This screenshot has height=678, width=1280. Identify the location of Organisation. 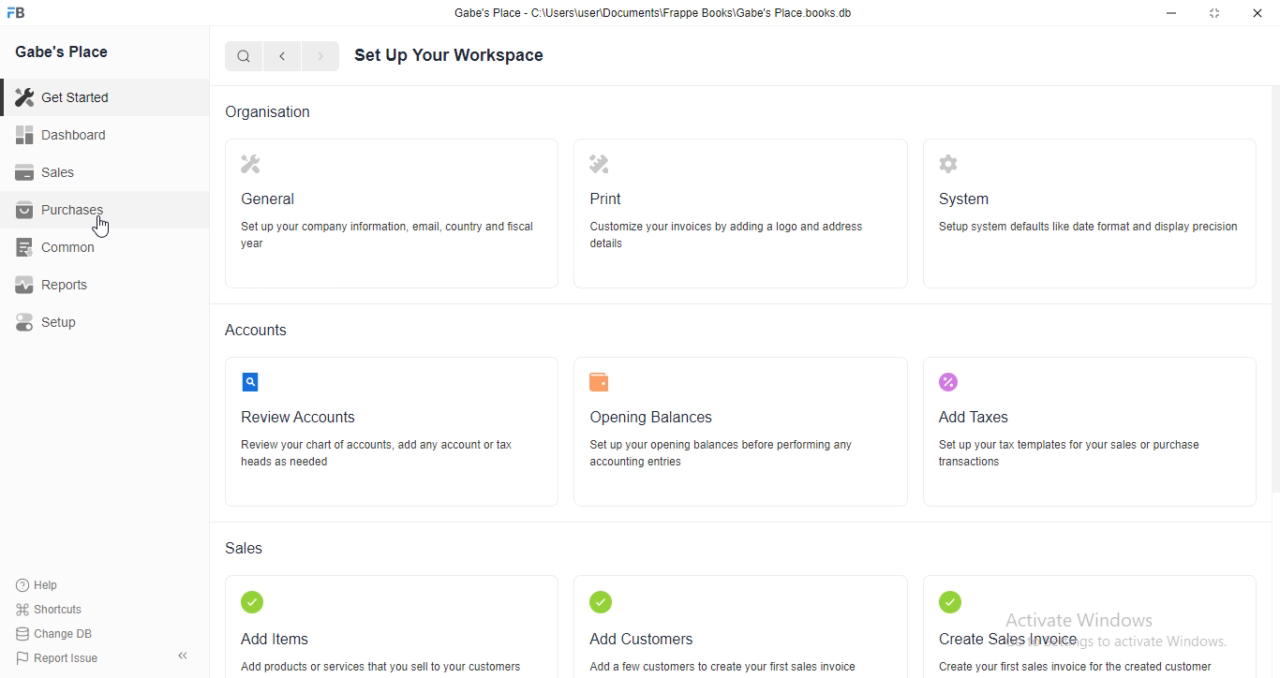
(267, 111).